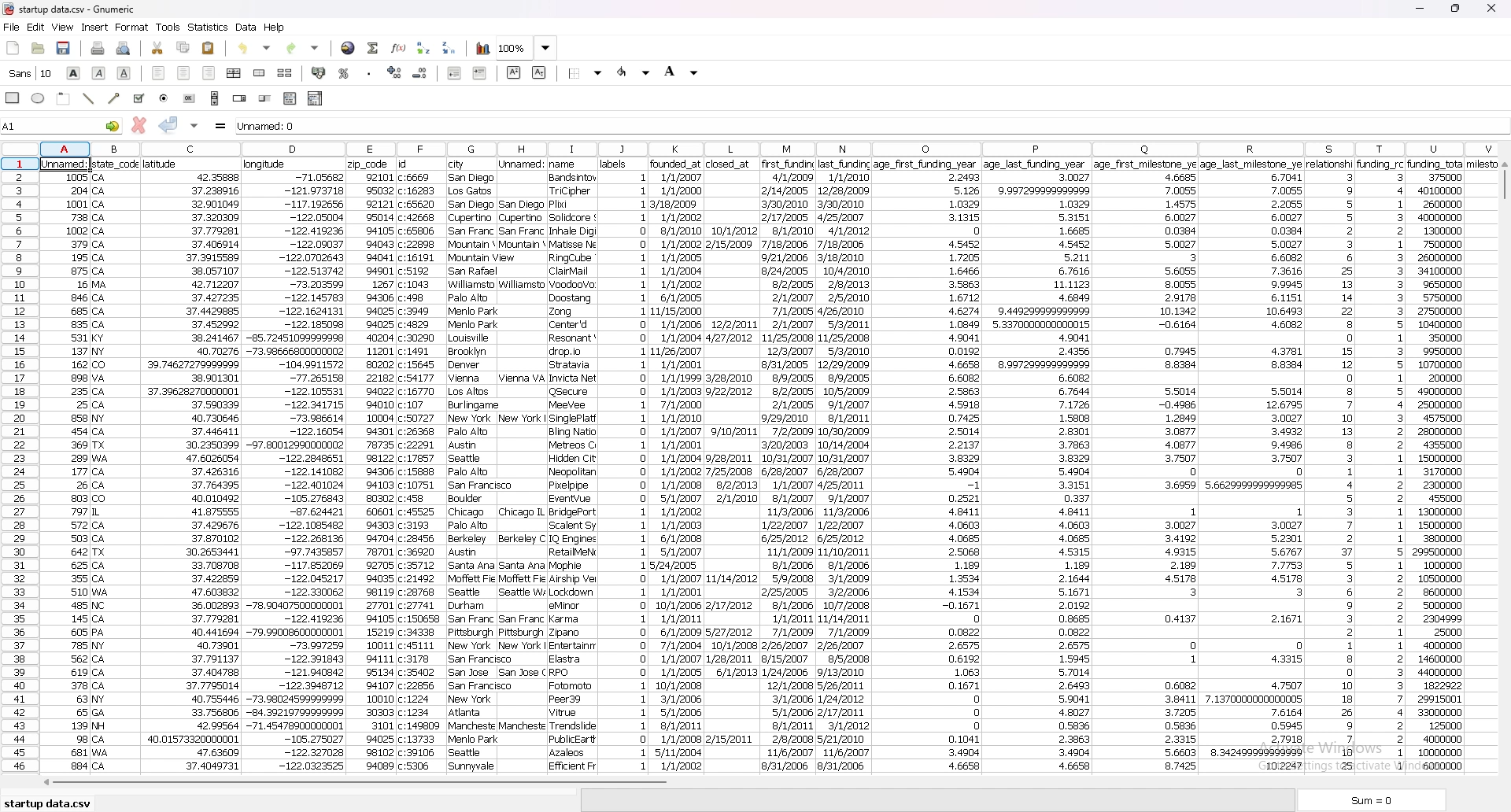  Describe the element at coordinates (183, 47) in the screenshot. I see `copy` at that location.